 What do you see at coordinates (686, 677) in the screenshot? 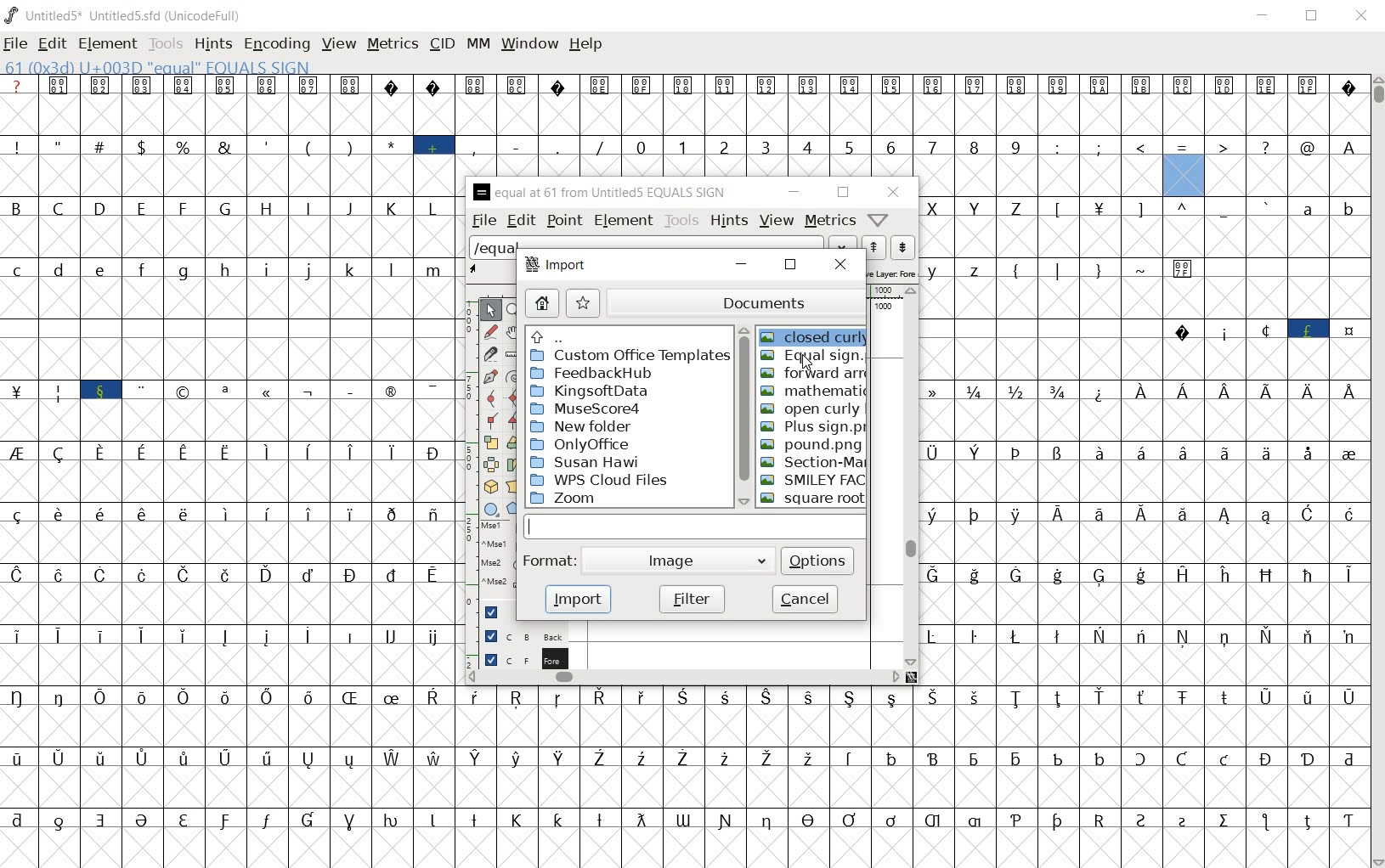
I see `scrollbar` at bounding box center [686, 677].